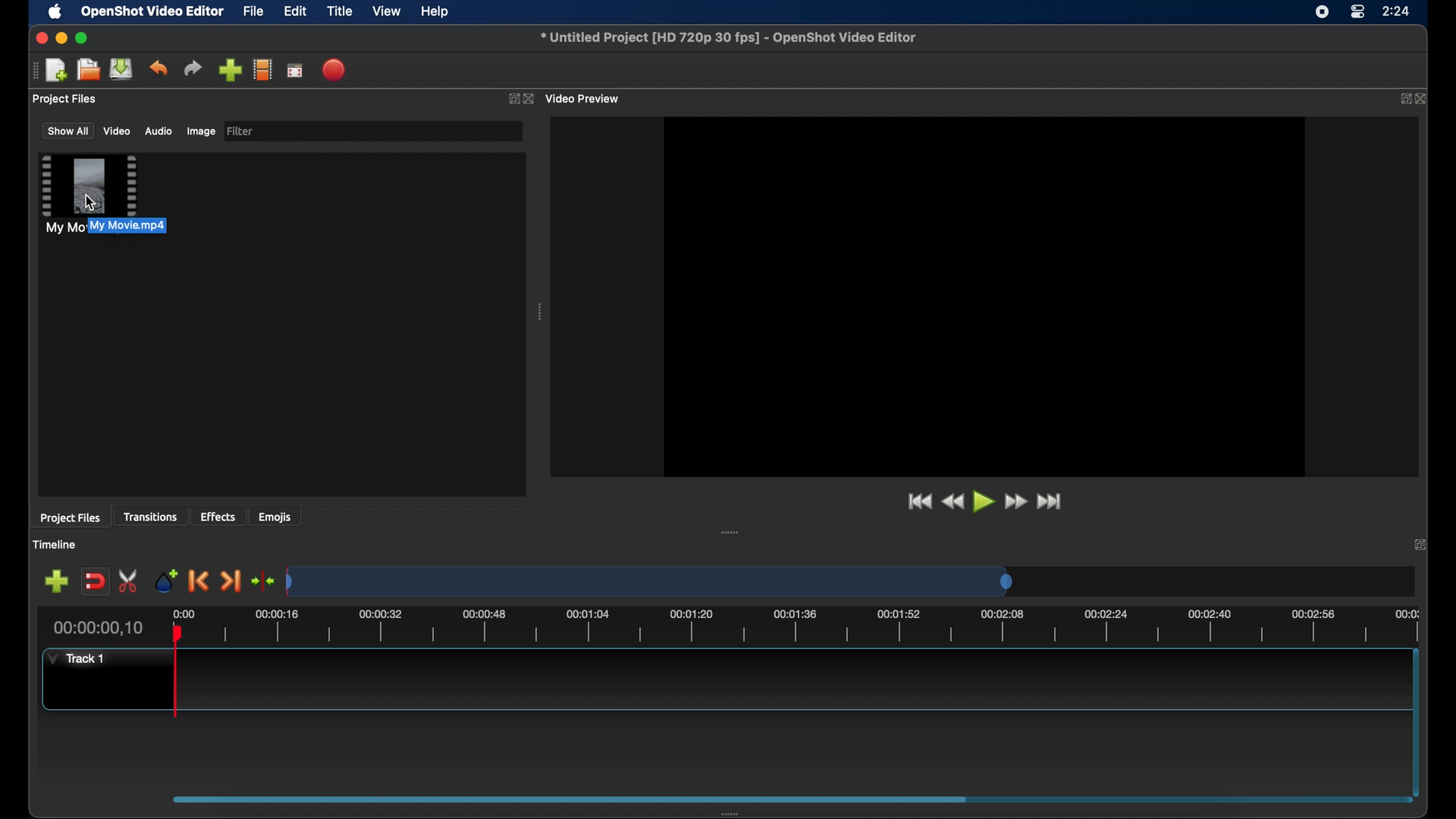  Describe the element at coordinates (70, 519) in the screenshot. I see `project files` at that location.